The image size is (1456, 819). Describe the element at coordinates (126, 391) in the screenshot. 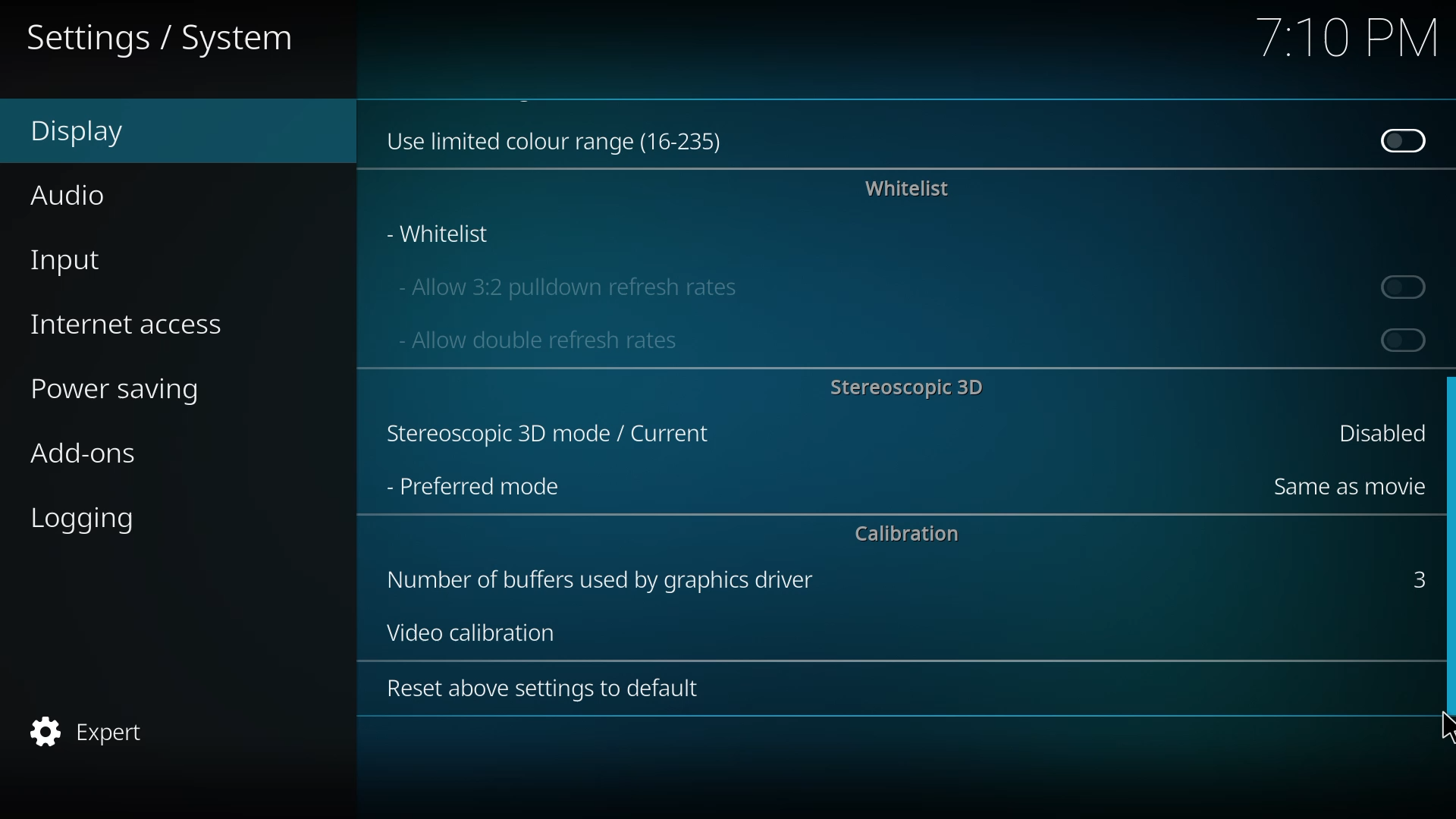

I see `power saving` at that location.